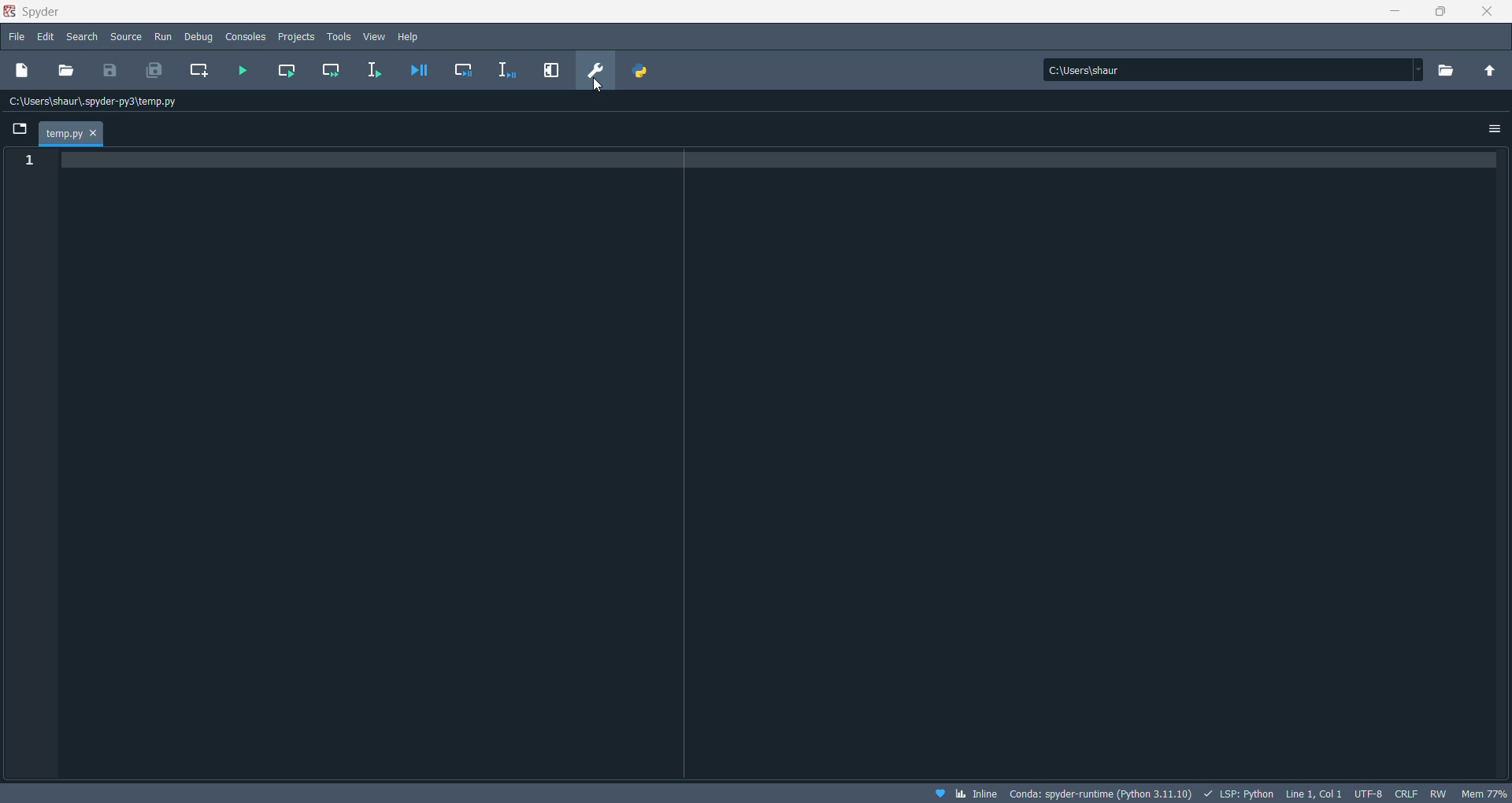  I want to click on path, so click(101, 102).